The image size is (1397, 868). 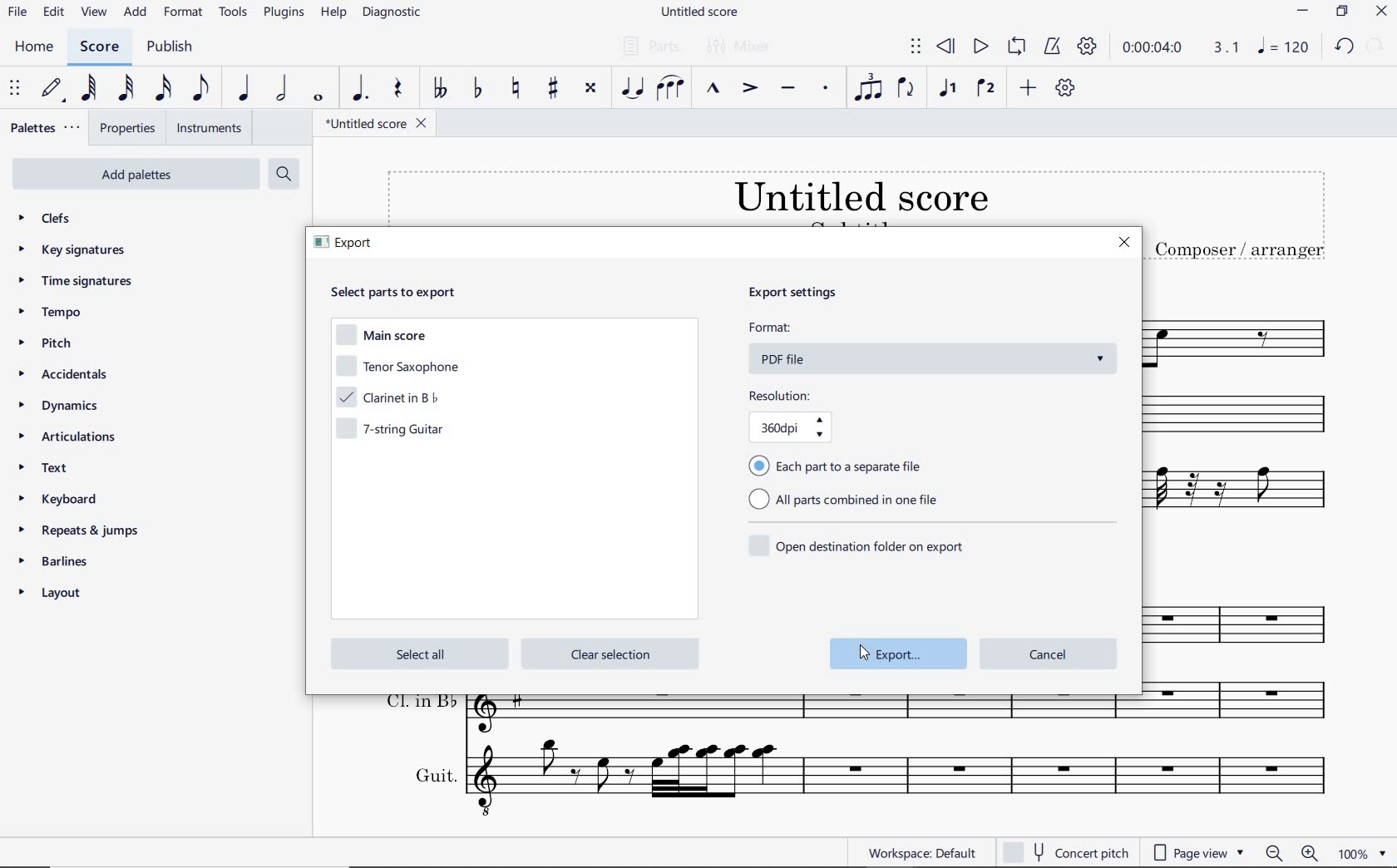 I want to click on all parts combined in one file, so click(x=849, y=501).